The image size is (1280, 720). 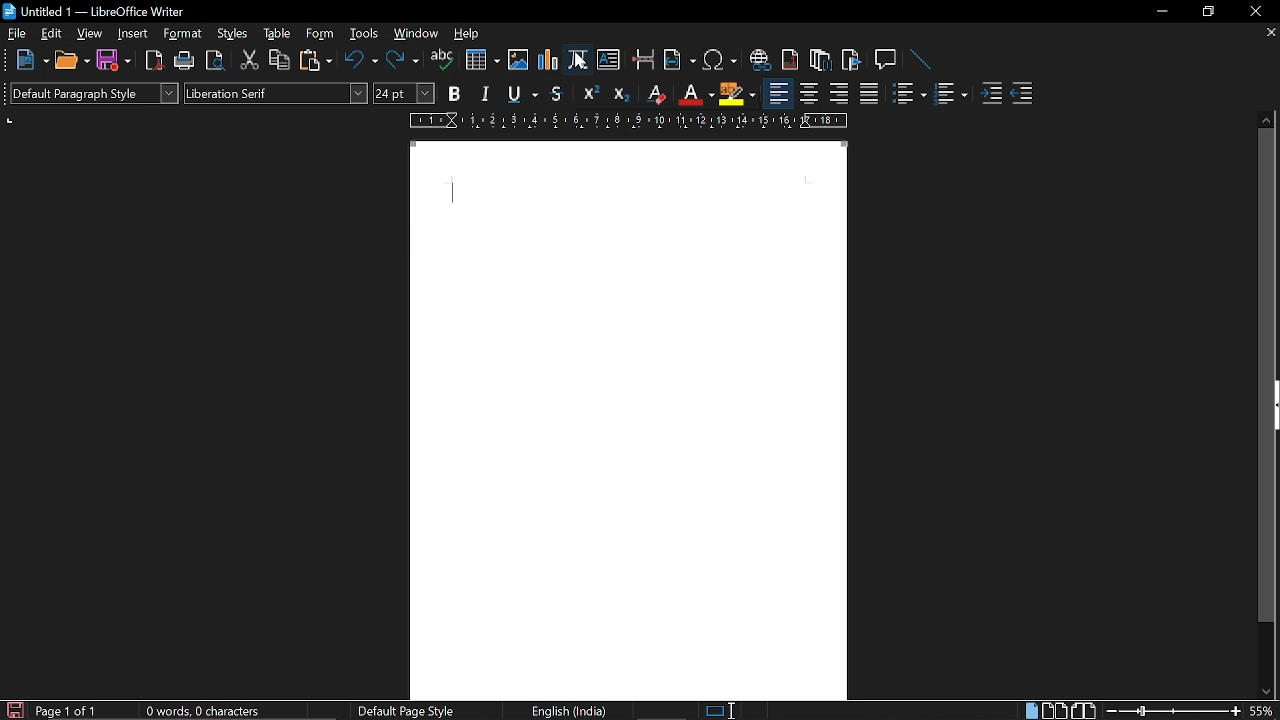 What do you see at coordinates (277, 60) in the screenshot?
I see `copy` at bounding box center [277, 60].